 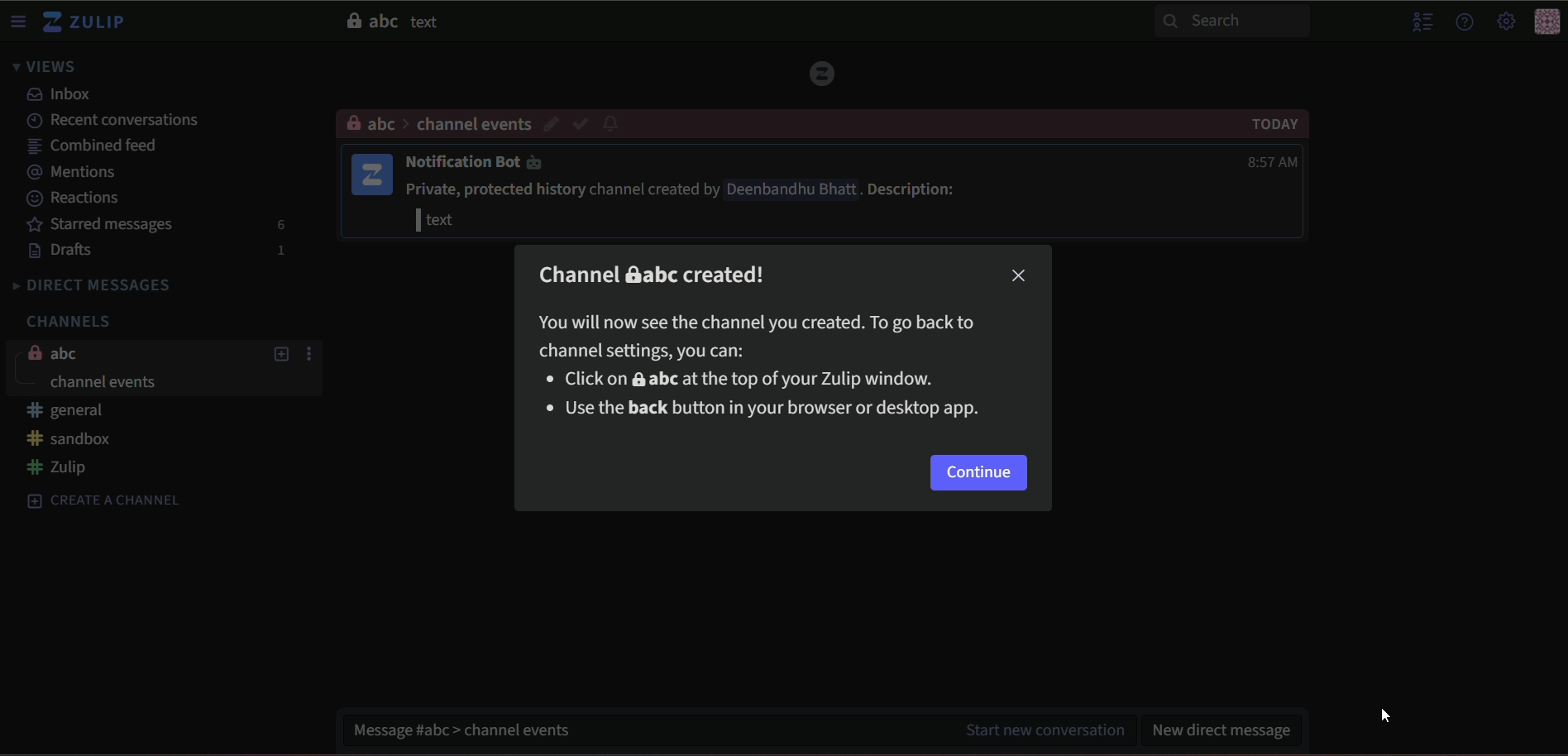 What do you see at coordinates (741, 731) in the screenshot?
I see `message #abc` at bounding box center [741, 731].